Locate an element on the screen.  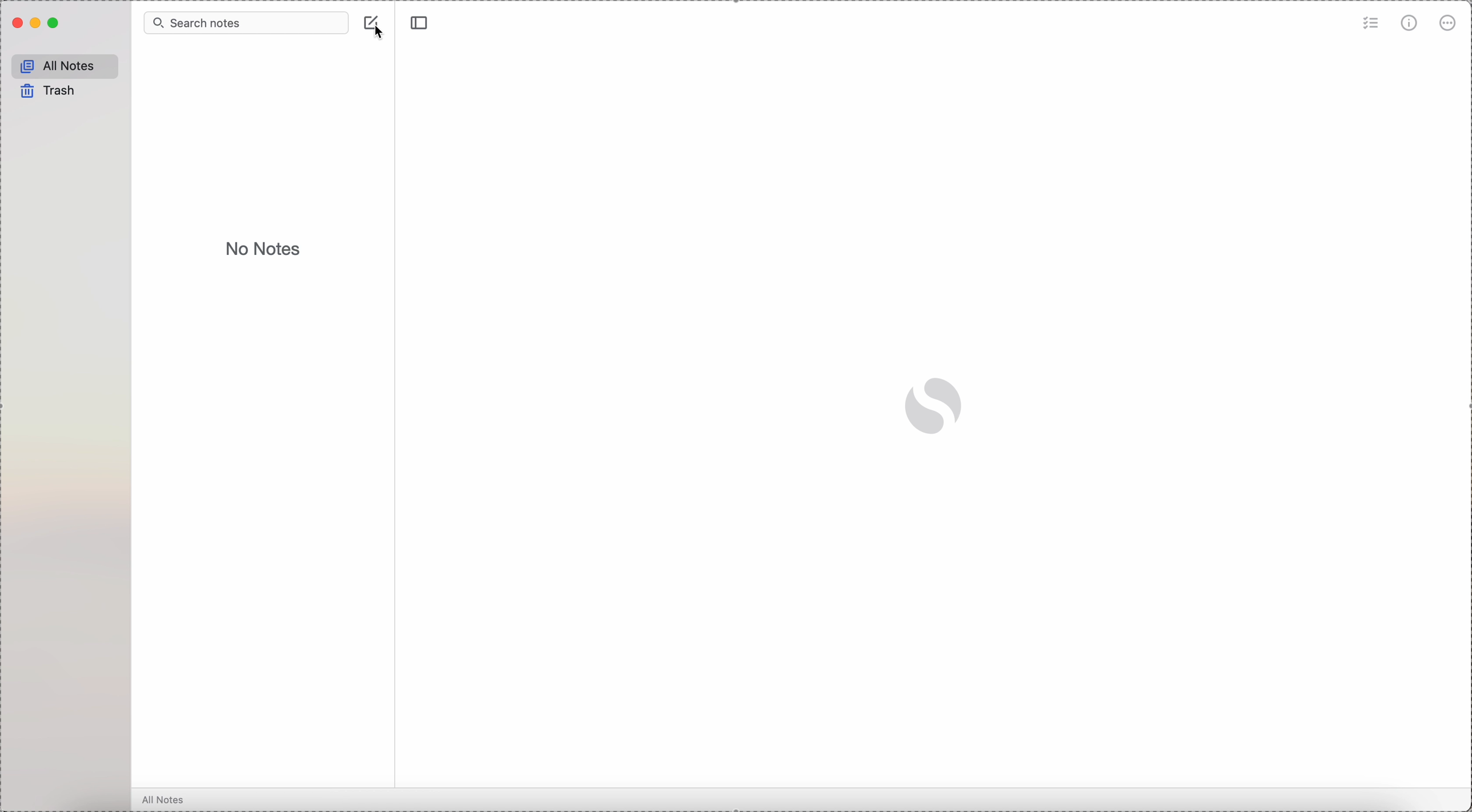
no notes is located at coordinates (266, 249).